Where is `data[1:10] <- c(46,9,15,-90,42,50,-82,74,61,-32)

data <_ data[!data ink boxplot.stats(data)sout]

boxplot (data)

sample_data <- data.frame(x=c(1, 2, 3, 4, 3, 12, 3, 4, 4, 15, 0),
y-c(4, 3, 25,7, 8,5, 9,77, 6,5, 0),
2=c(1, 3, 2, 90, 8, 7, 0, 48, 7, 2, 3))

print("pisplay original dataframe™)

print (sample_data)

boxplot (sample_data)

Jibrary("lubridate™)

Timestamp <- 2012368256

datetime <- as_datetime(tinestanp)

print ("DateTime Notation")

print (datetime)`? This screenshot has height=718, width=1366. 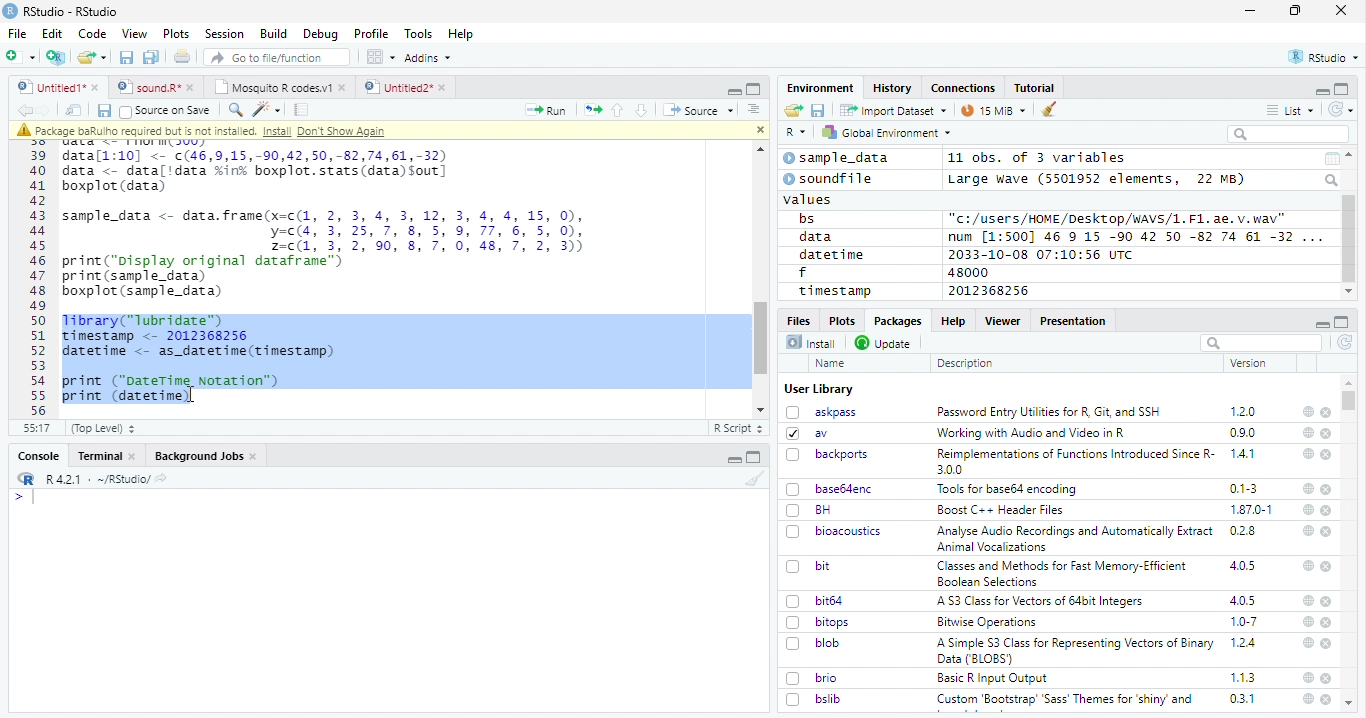
data[1:10] <- c(46,9,15,-90,42,50,-82,74,61,-32)

data <_ data[!data ink boxplot.stats(data)sout]

boxplot (data)

sample_data <- data.frame(x=c(1, 2, 3, 4, 3, 12, 3, 4, 4, 15, 0),
y-c(4, 3, 25,7, 8,5, 9,77, 6,5, 0),
2=c(1, 3, 2, 90, 8, 7, 0, 48, 7, 2, 3))

print("pisplay original dataframe™)

print (sample_data)

boxplot (sample_data)

Jibrary("lubridate™)

Timestamp <- 2012368256

datetime <- as_datetime(tinestanp)

print ("DateTime Notation")

print (datetime) is located at coordinates (333, 276).